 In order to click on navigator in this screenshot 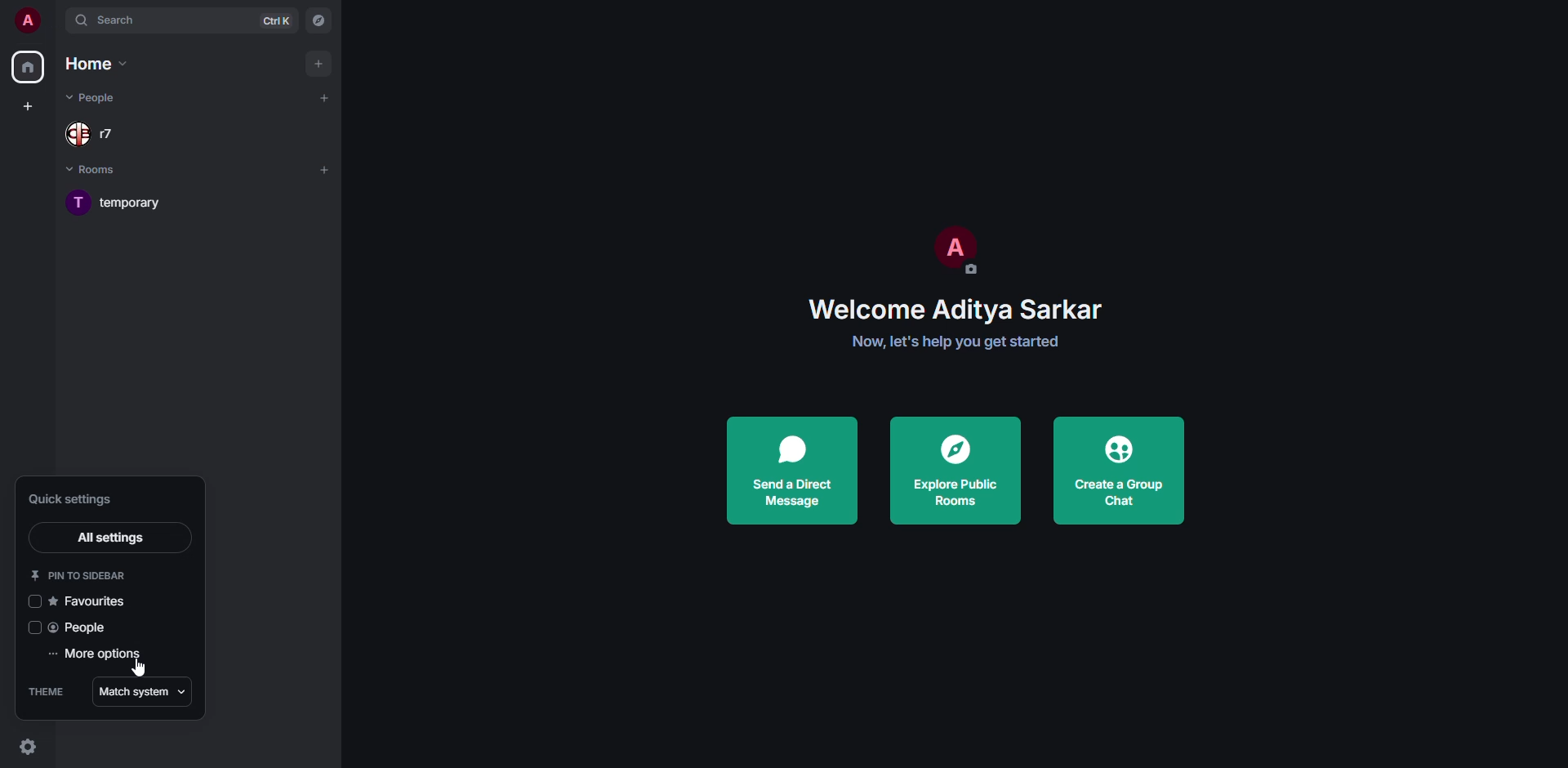, I will do `click(316, 21)`.